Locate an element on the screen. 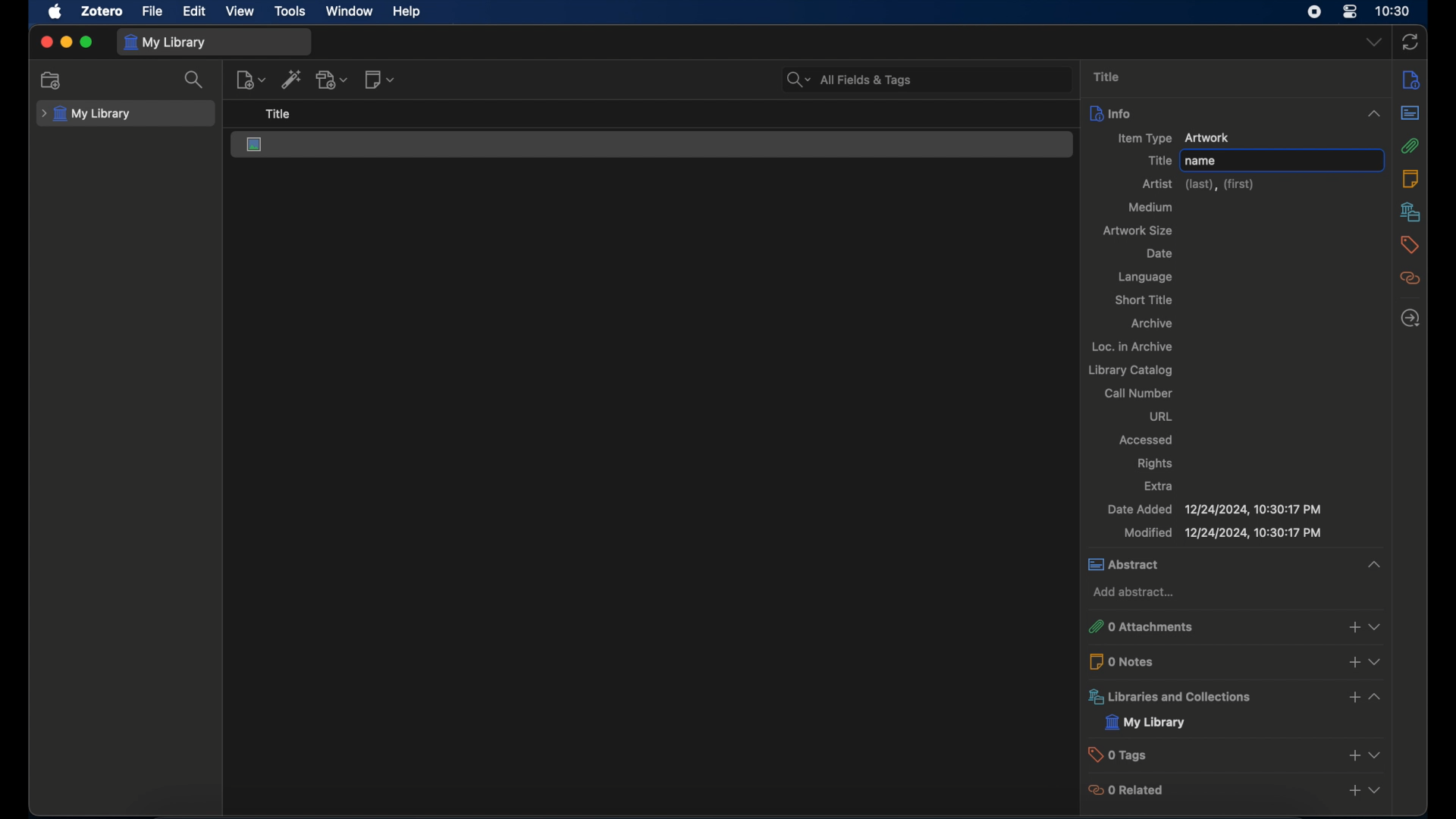 This screenshot has width=1456, height=819. libraries is located at coordinates (1411, 212).